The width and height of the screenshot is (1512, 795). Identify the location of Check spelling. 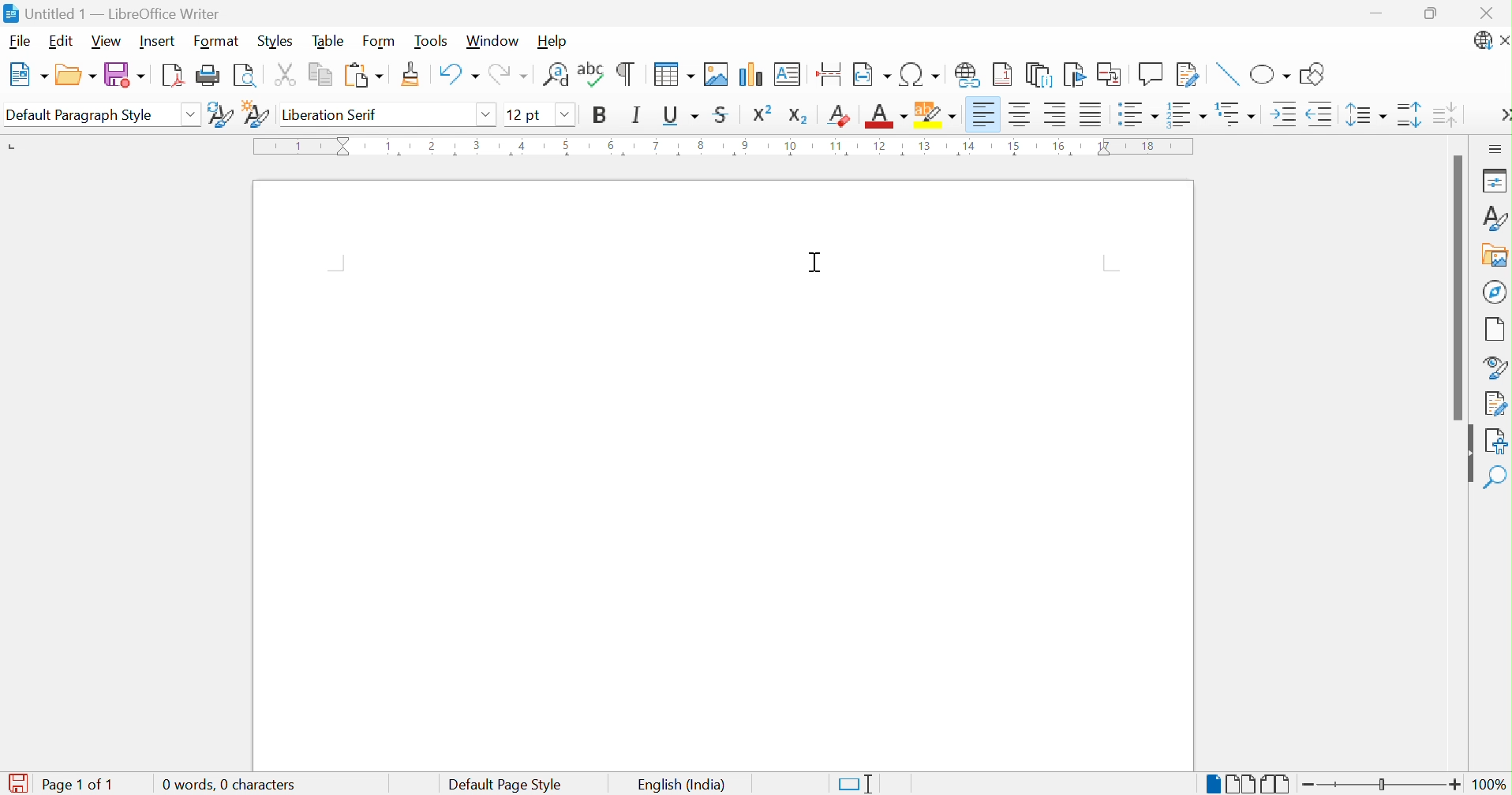
(589, 72).